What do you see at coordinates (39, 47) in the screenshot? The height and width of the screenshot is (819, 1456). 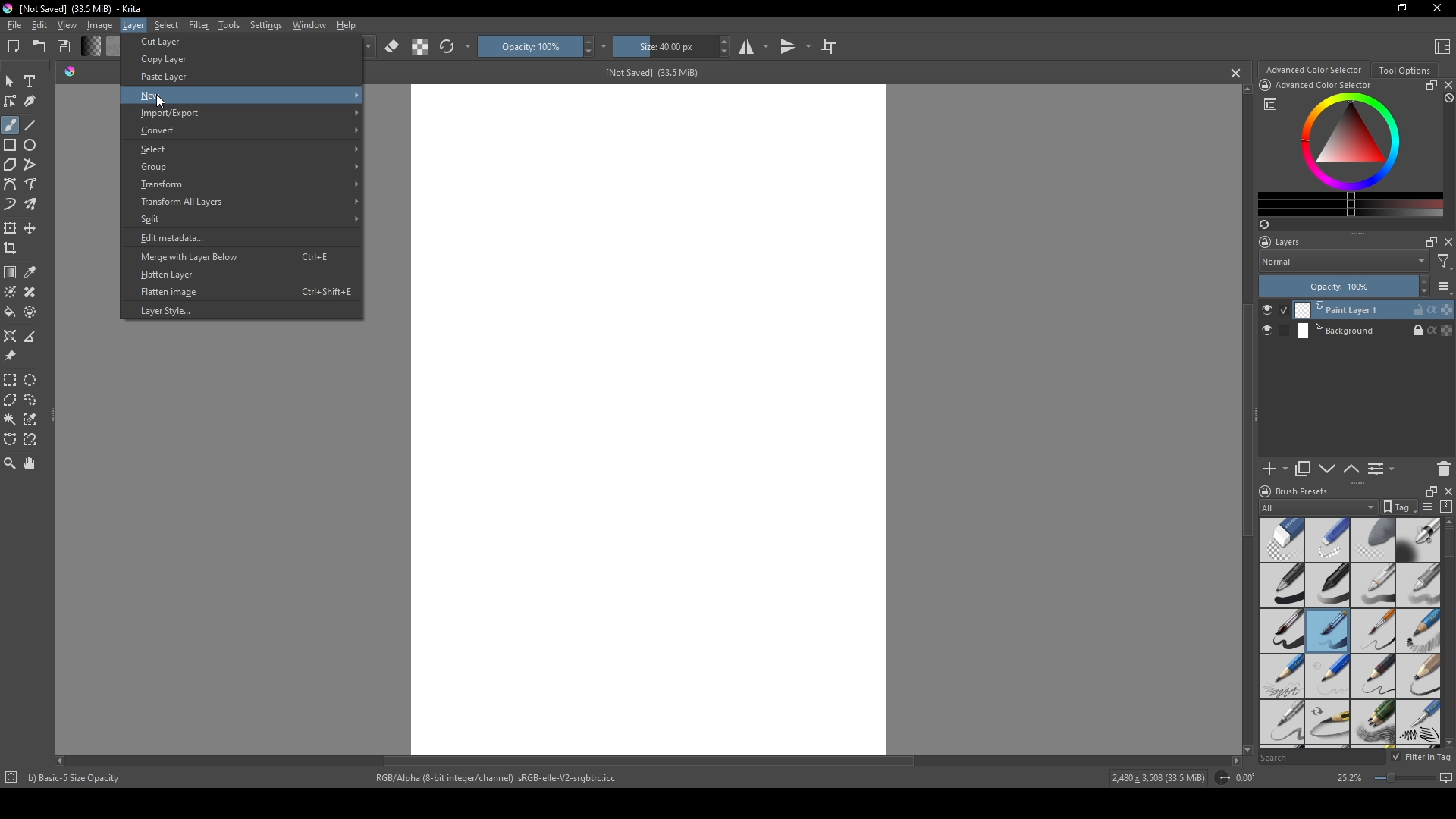 I see `folder` at bounding box center [39, 47].